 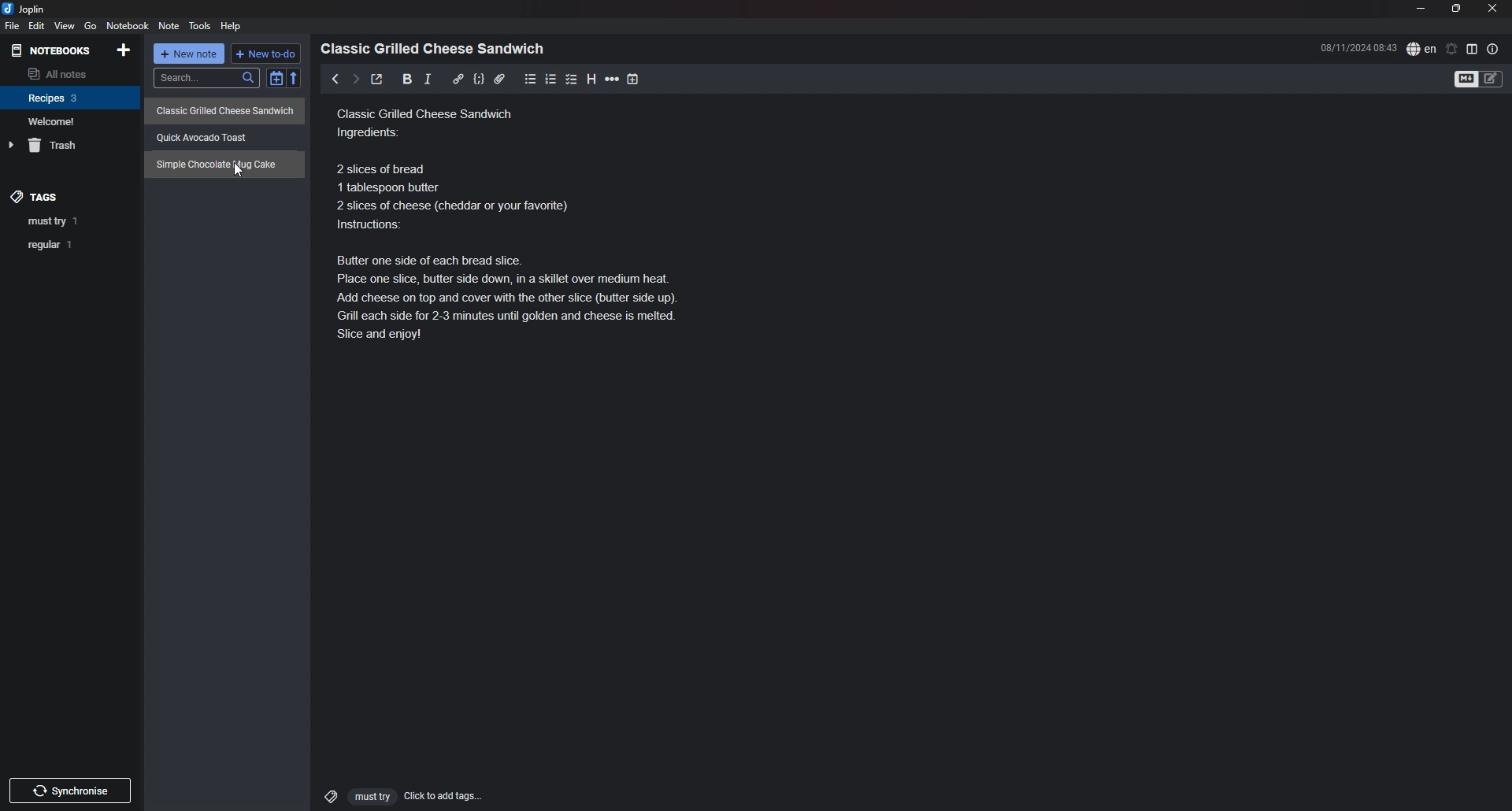 What do you see at coordinates (1358, 47) in the screenshot?
I see `time` at bounding box center [1358, 47].